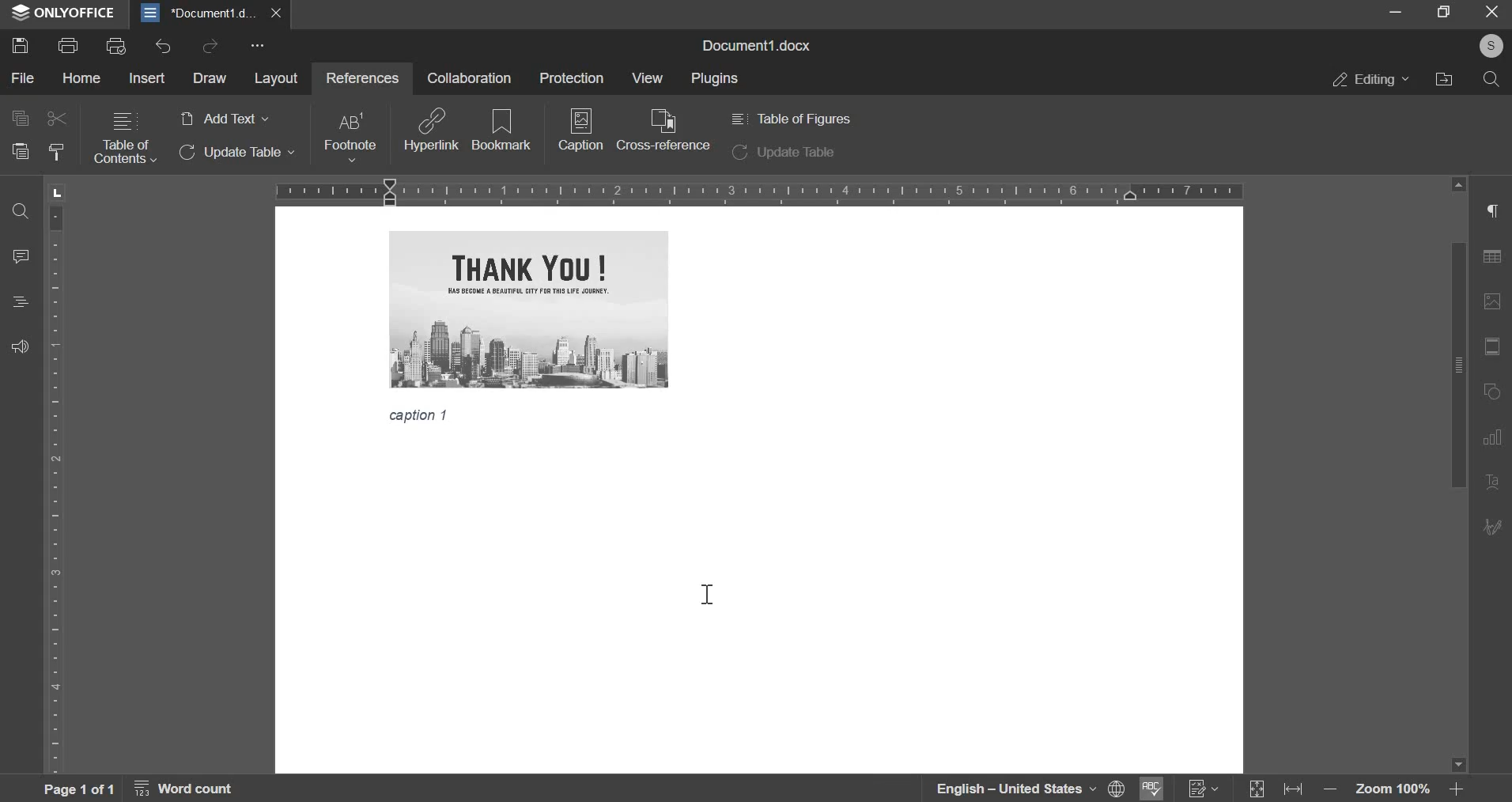  Describe the element at coordinates (645, 78) in the screenshot. I see `view` at that location.